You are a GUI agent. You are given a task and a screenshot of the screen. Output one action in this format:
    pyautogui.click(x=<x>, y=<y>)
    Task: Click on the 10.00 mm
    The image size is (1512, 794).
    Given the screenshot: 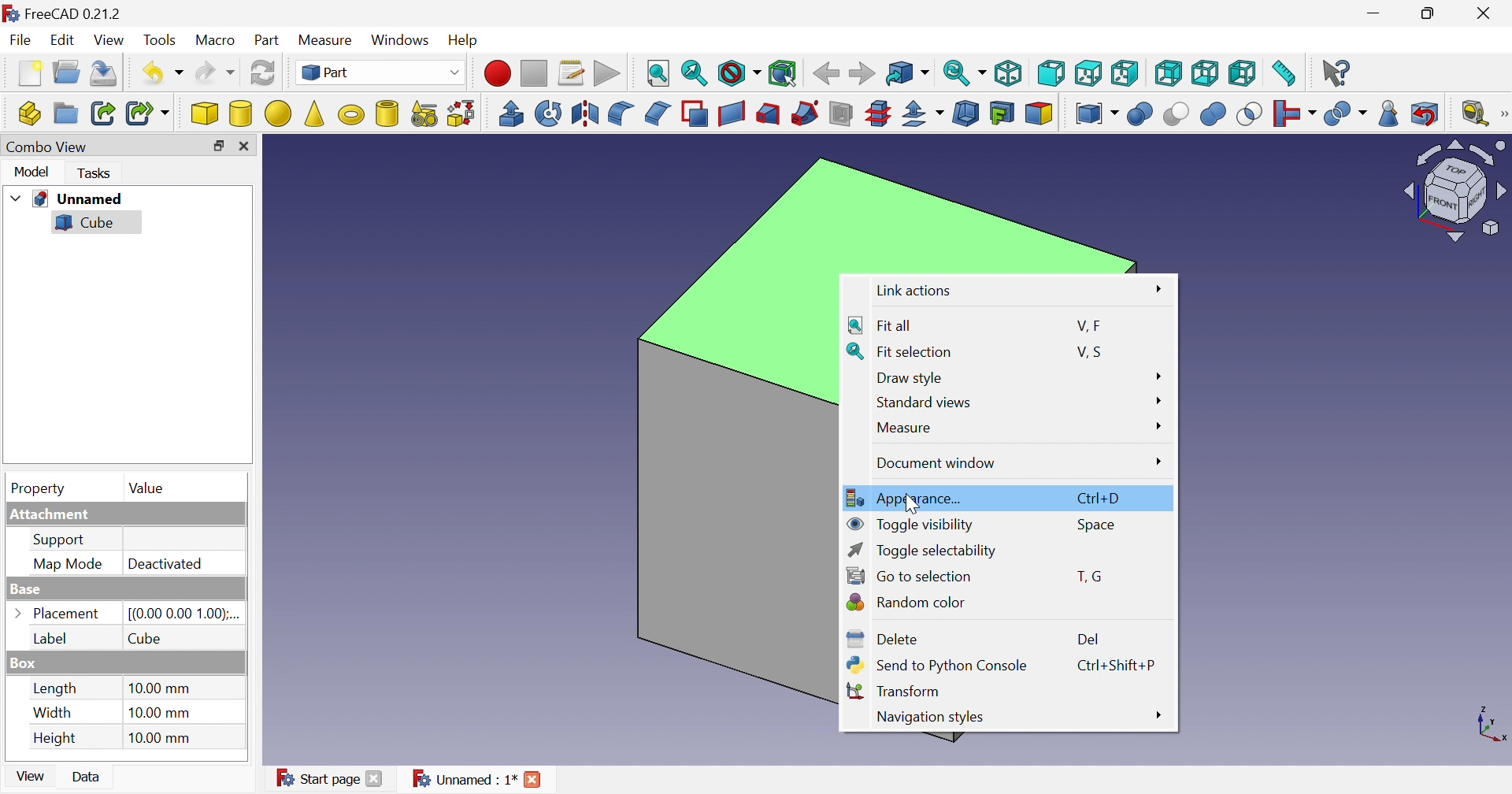 What is the action you would take?
    pyautogui.click(x=165, y=690)
    